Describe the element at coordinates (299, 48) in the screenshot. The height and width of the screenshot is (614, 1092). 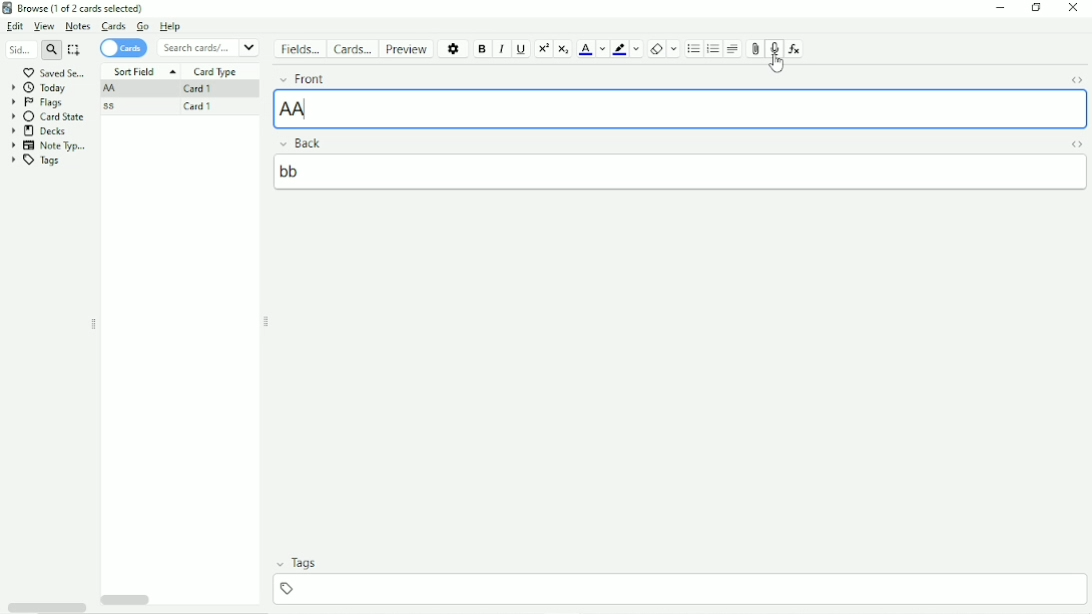
I see `Fields` at that location.